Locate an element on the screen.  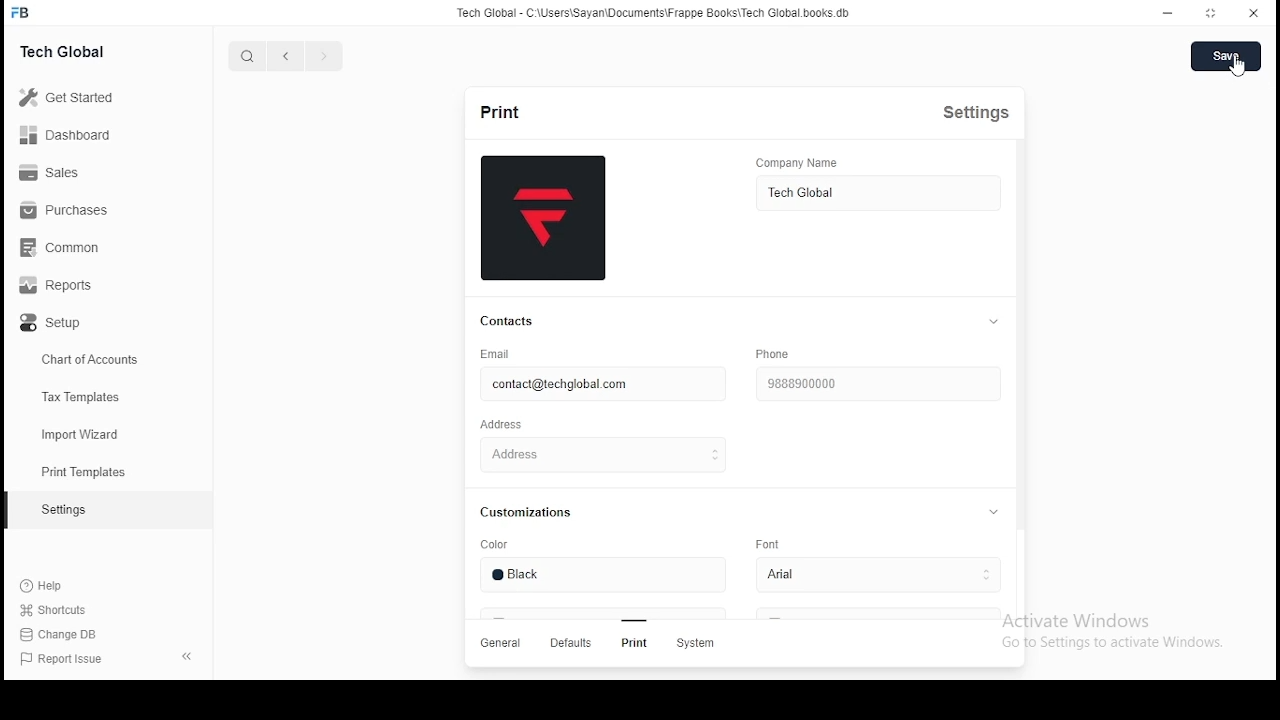
Settings is located at coordinates (984, 118).